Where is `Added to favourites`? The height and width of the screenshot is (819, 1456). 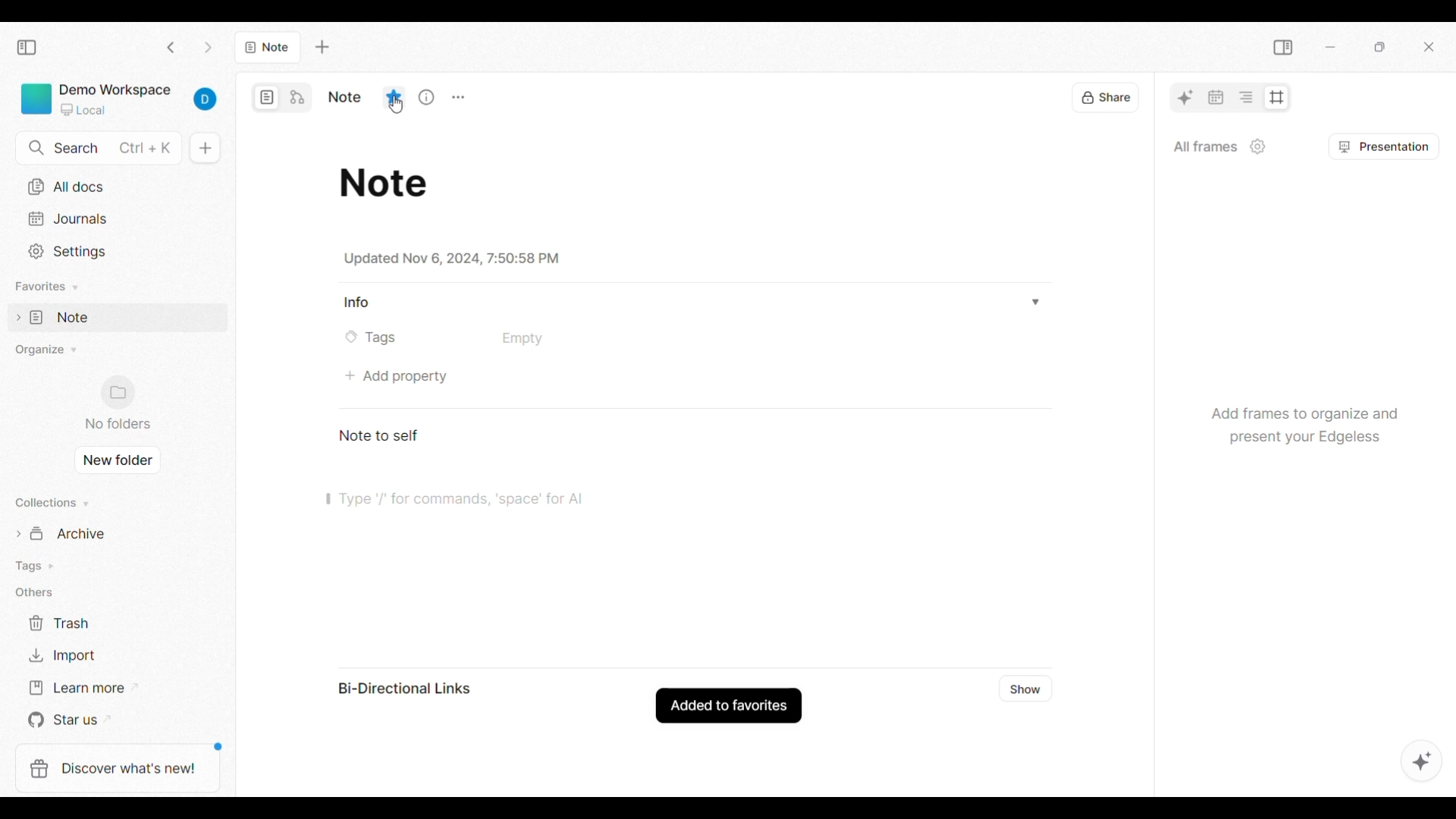
Added to favourites is located at coordinates (730, 706).